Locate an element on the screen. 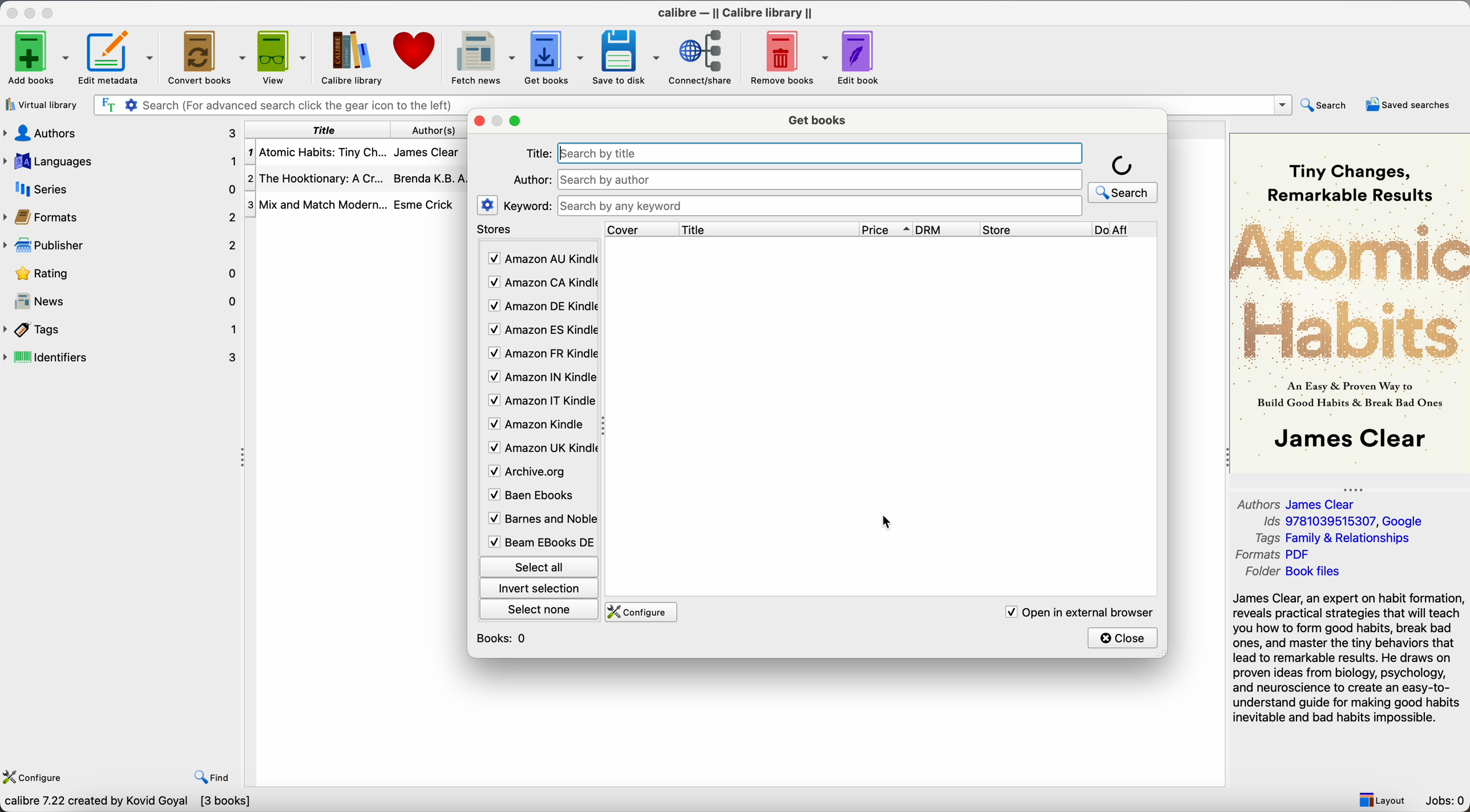  Amazon IN Kindle is located at coordinates (540, 379).